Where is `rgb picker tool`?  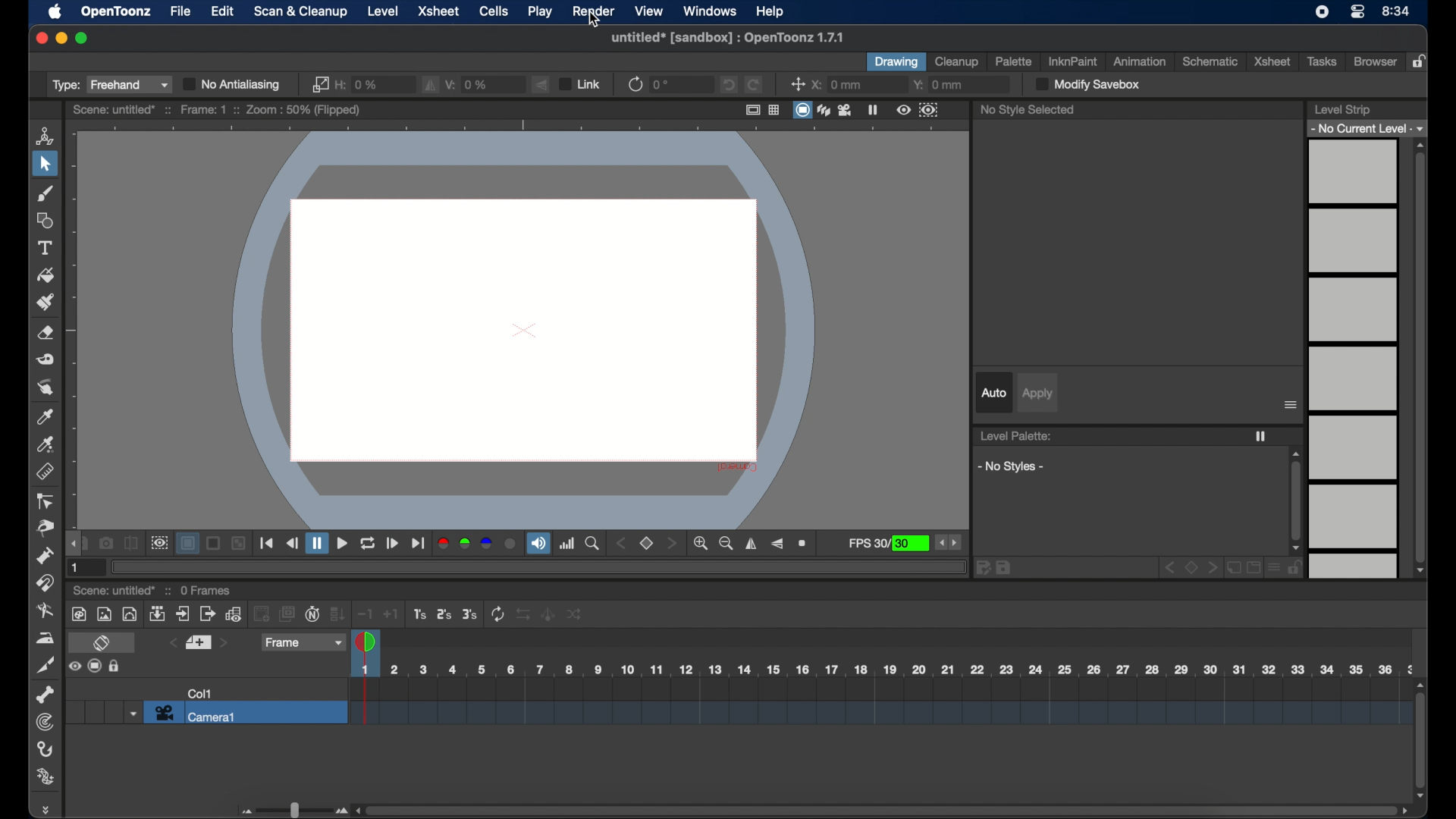
rgb picker tool is located at coordinates (46, 444).